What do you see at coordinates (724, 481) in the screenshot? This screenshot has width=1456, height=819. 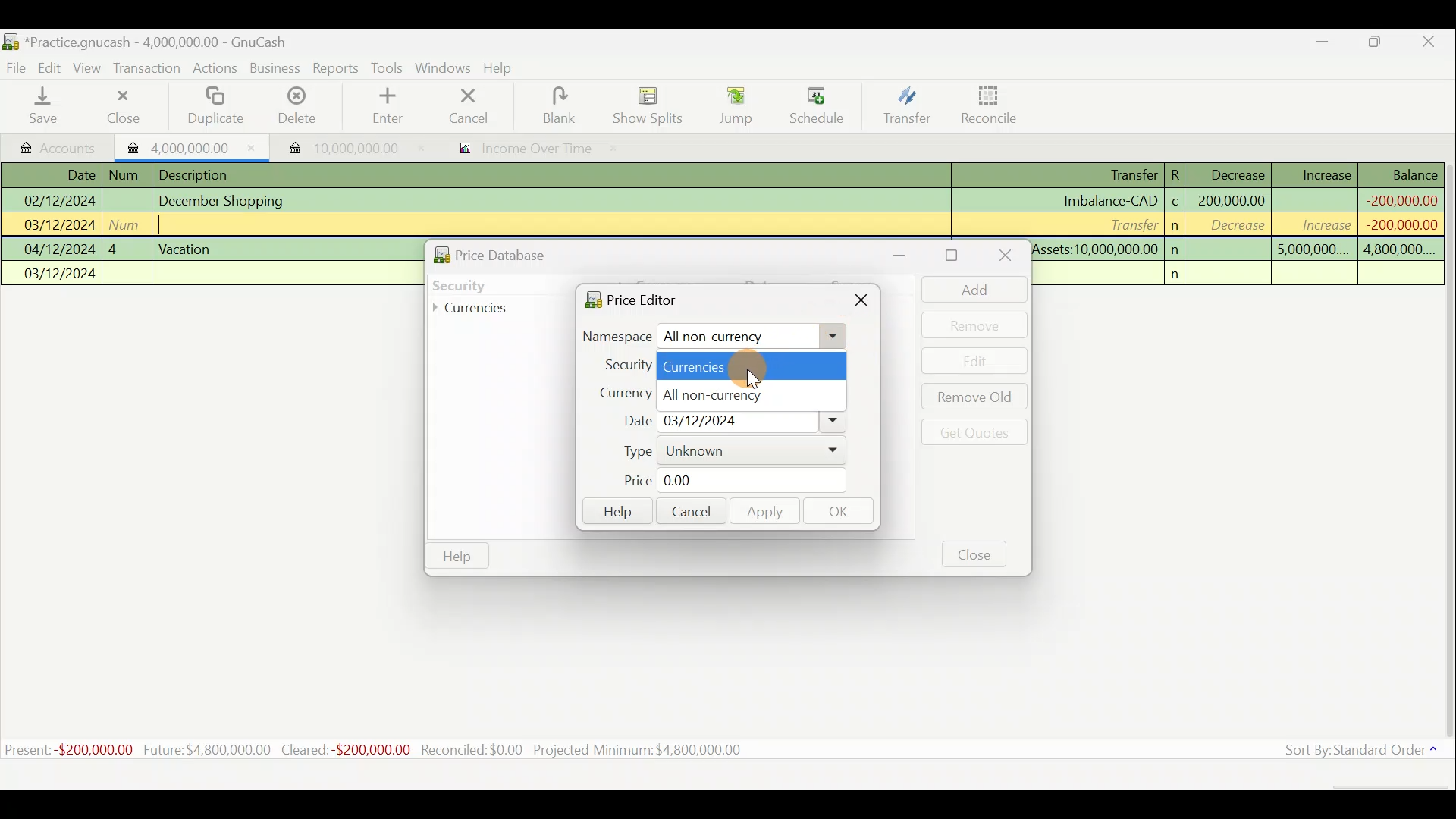 I see `Price` at bounding box center [724, 481].